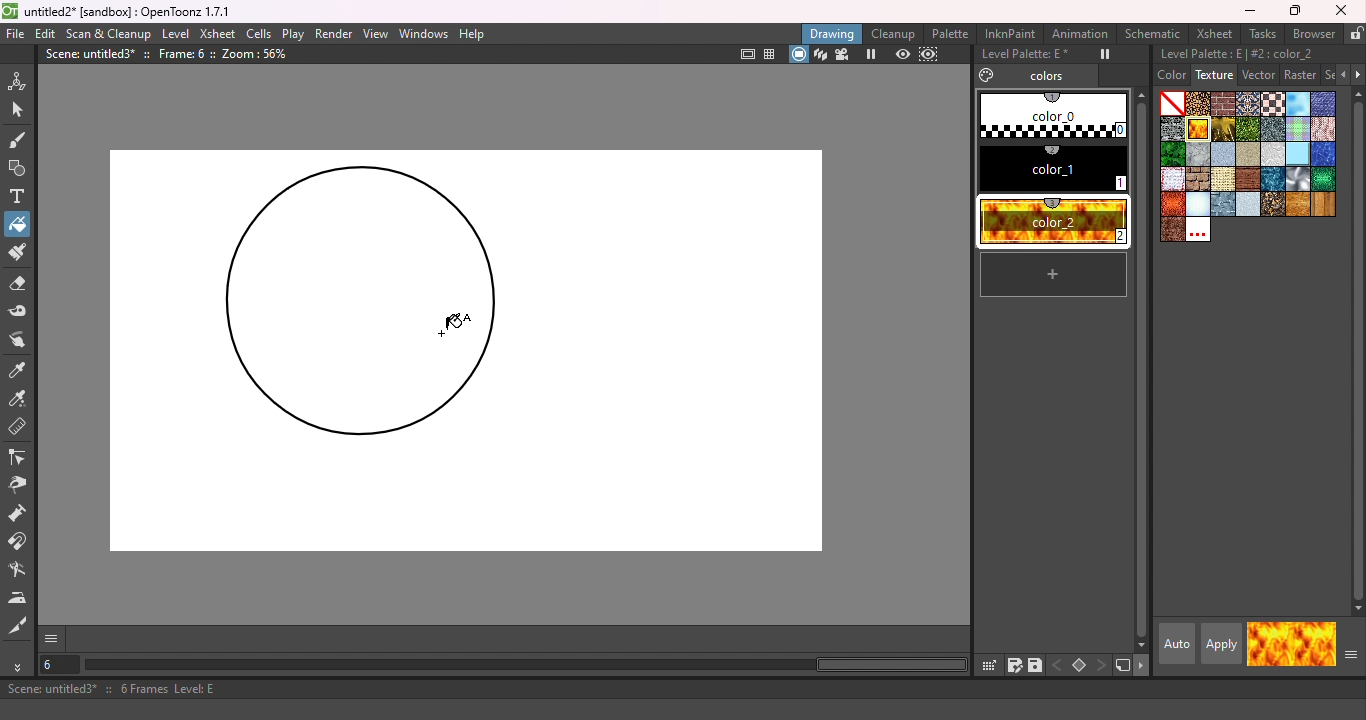 This screenshot has height=720, width=1366. Describe the element at coordinates (1273, 179) in the screenshot. I see `sea` at that location.